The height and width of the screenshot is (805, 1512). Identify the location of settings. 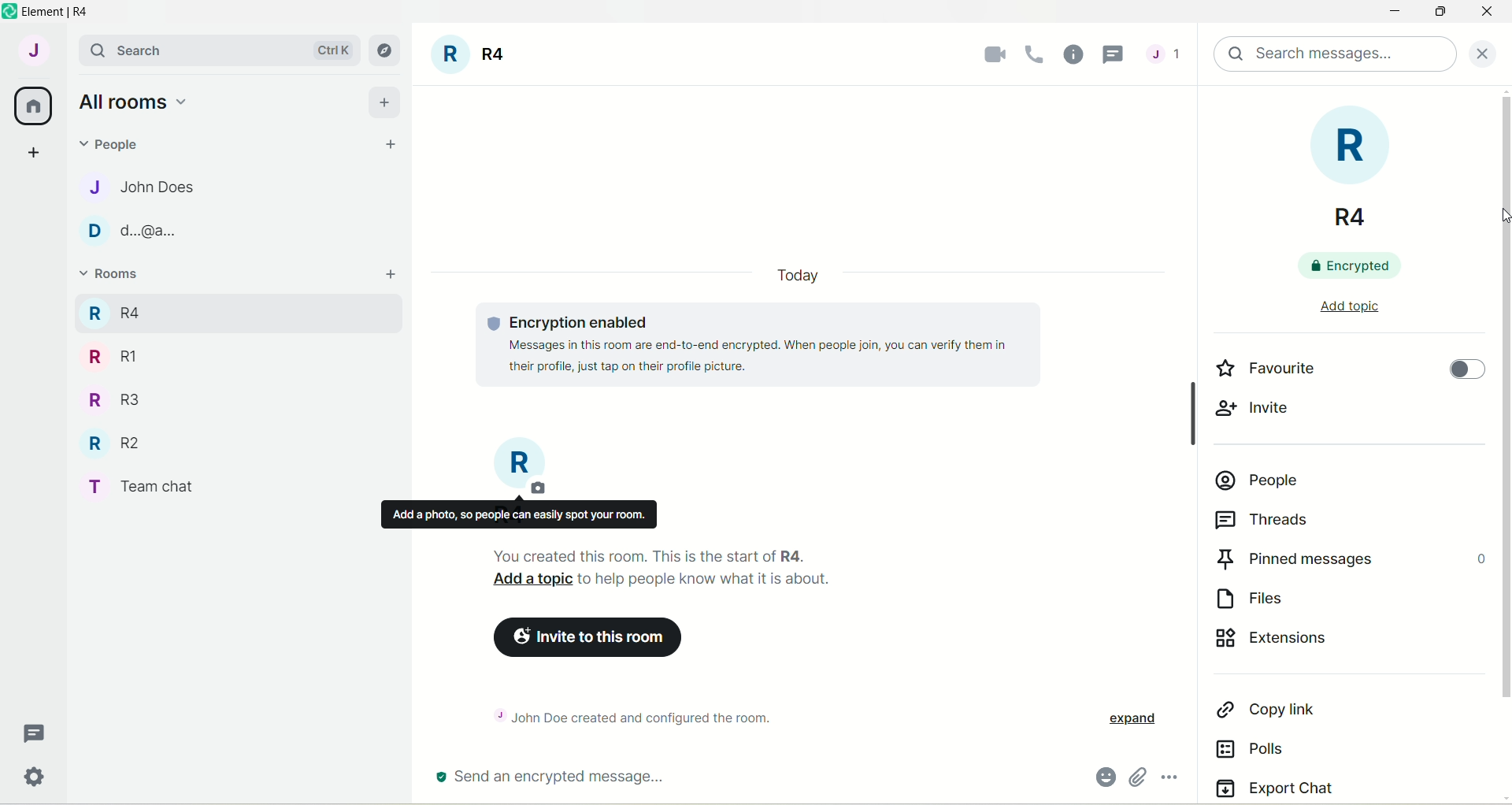
(37, 780).